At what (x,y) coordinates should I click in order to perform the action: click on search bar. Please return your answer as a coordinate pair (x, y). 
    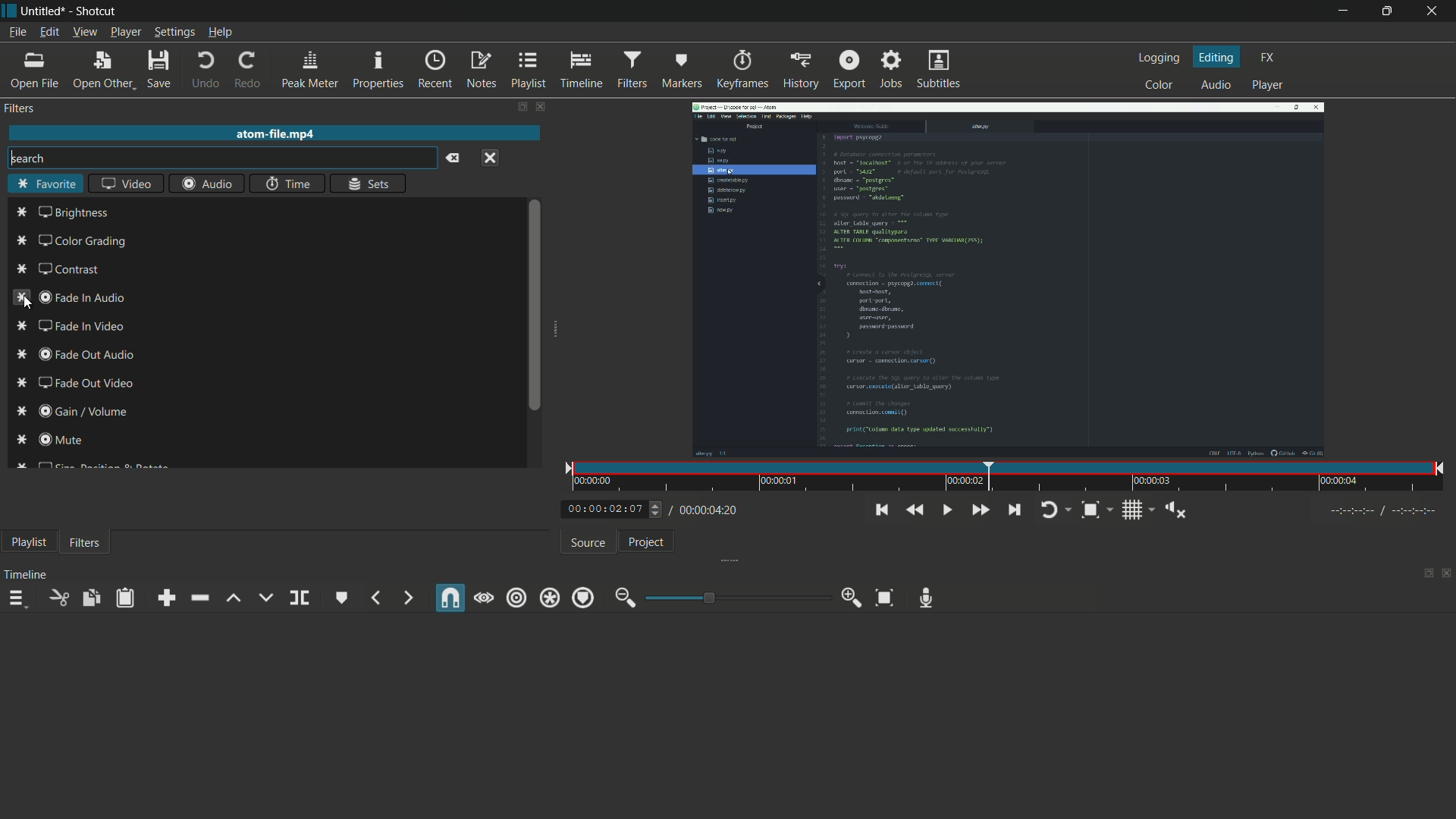
    Looking at the image, I should click on (221, 158).